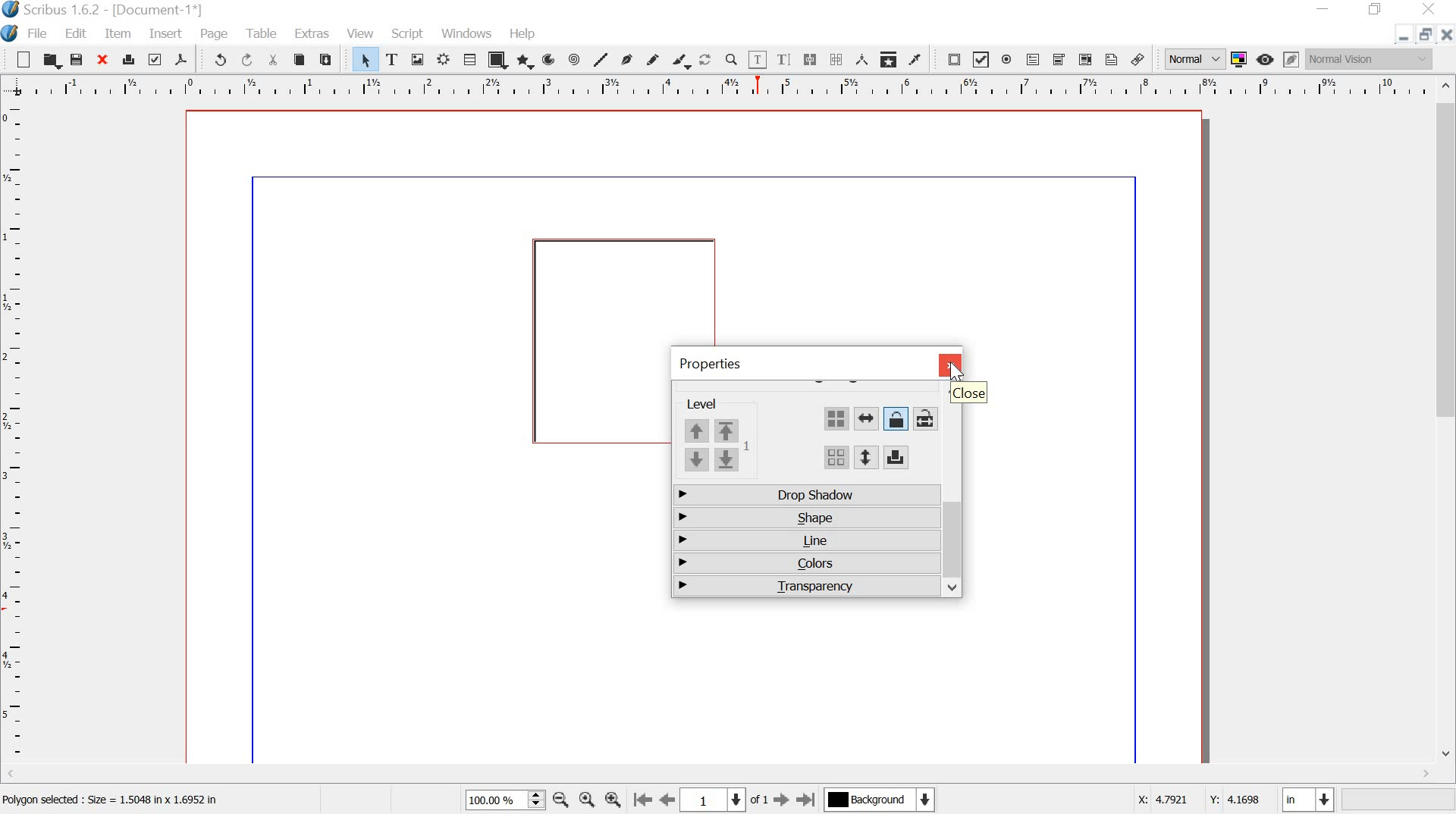 Image resolution: width=1456 pixels, height=814 pixels. What do you see at coordinates (1425, 34) in the screenshot?
I see `restore down` at bounding box center [1425, 34].